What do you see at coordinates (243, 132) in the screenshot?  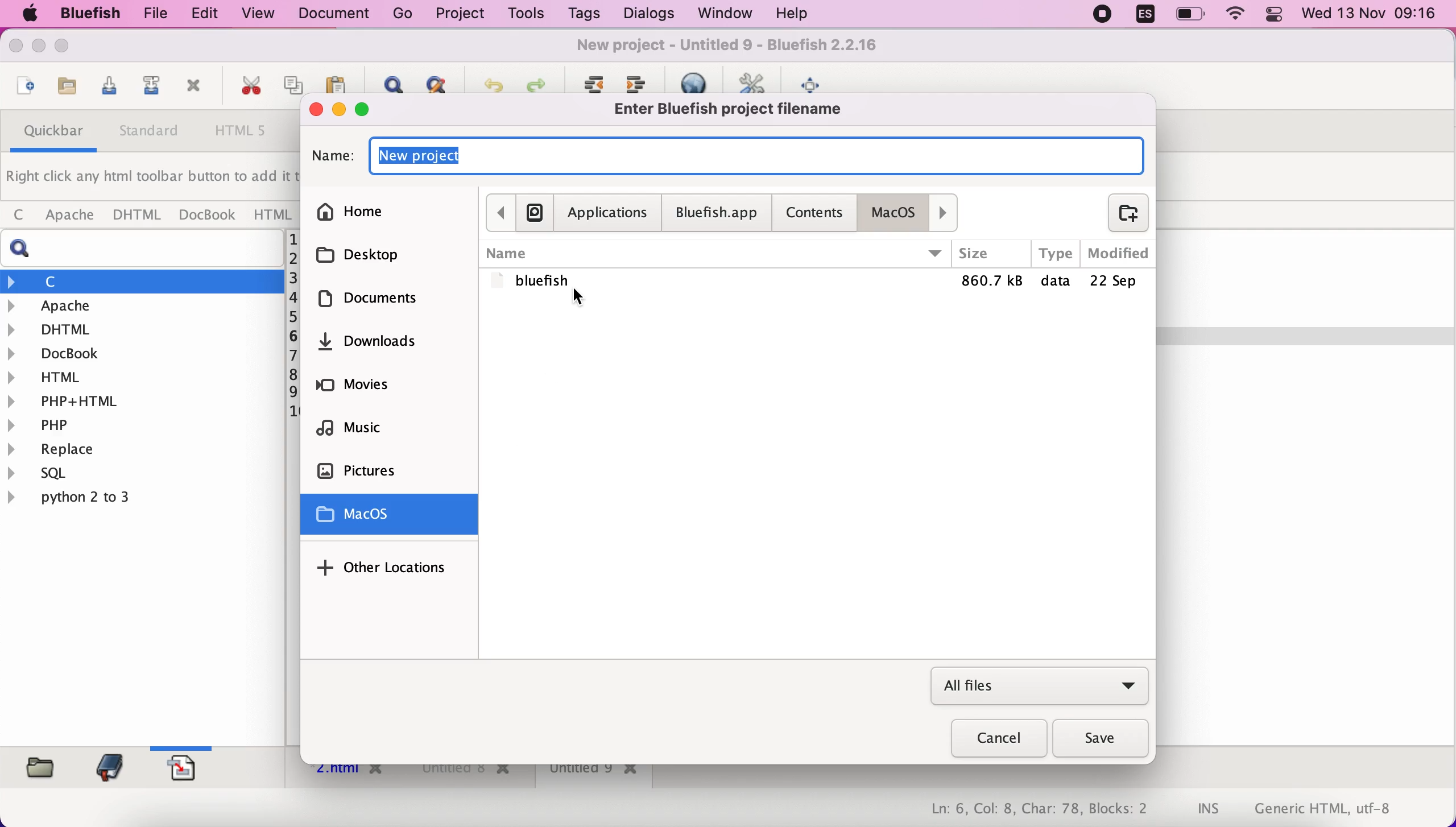 I see `html5` at bounding box center [243, 132].